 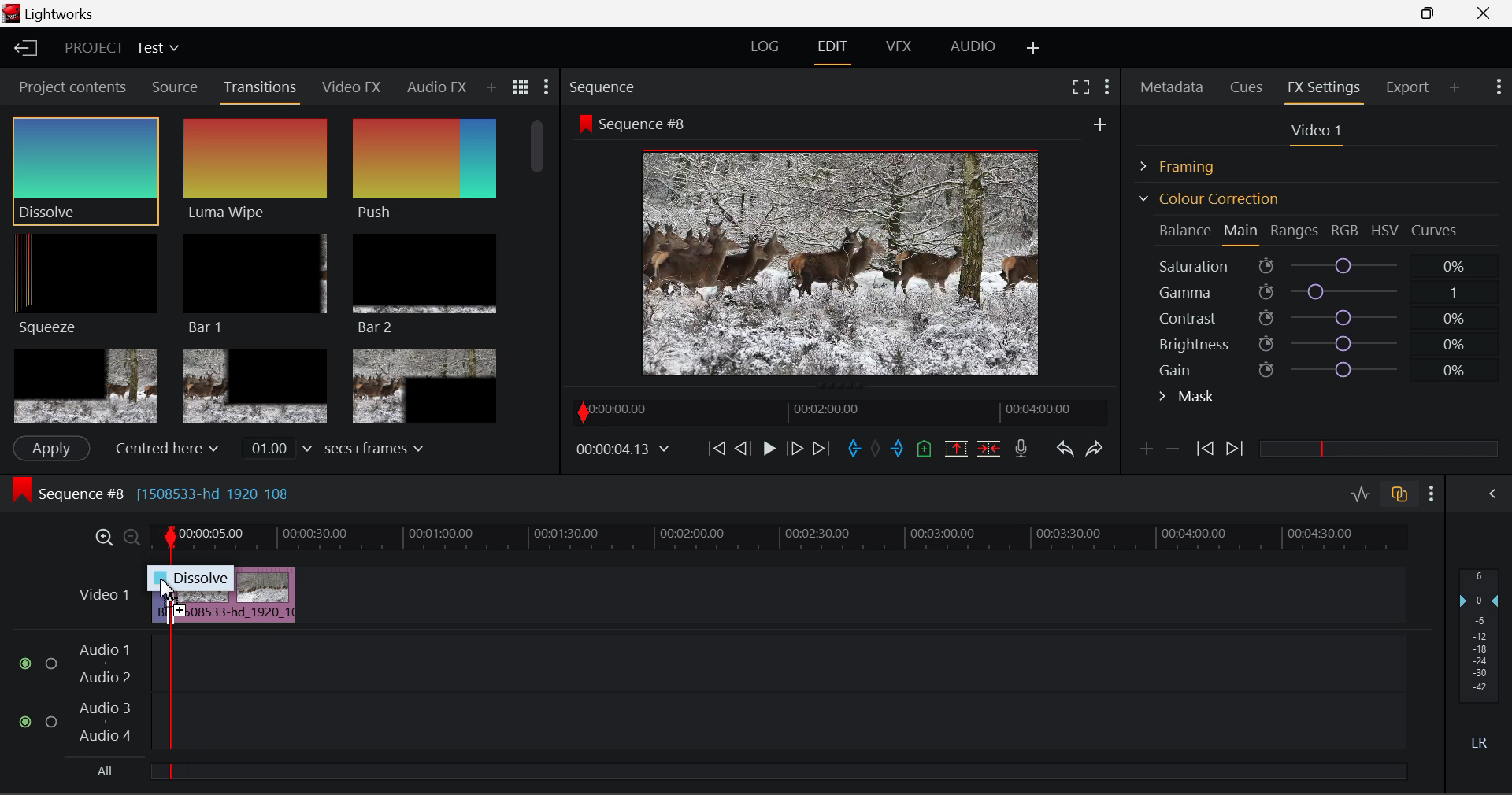 What do you see at coordinates (102, 593) in the screenshot?
I see `Video 1` at bounding box center [102, 593].